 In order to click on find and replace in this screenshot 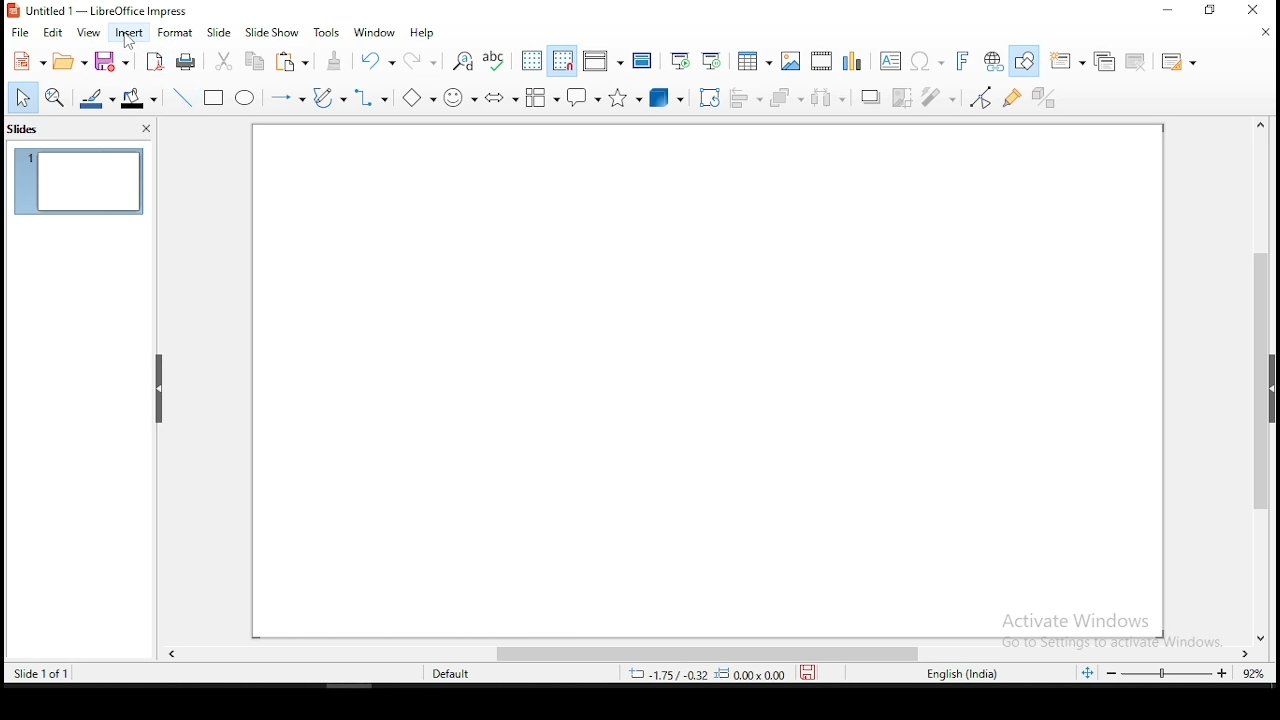, I will do `click(462, 60)`.